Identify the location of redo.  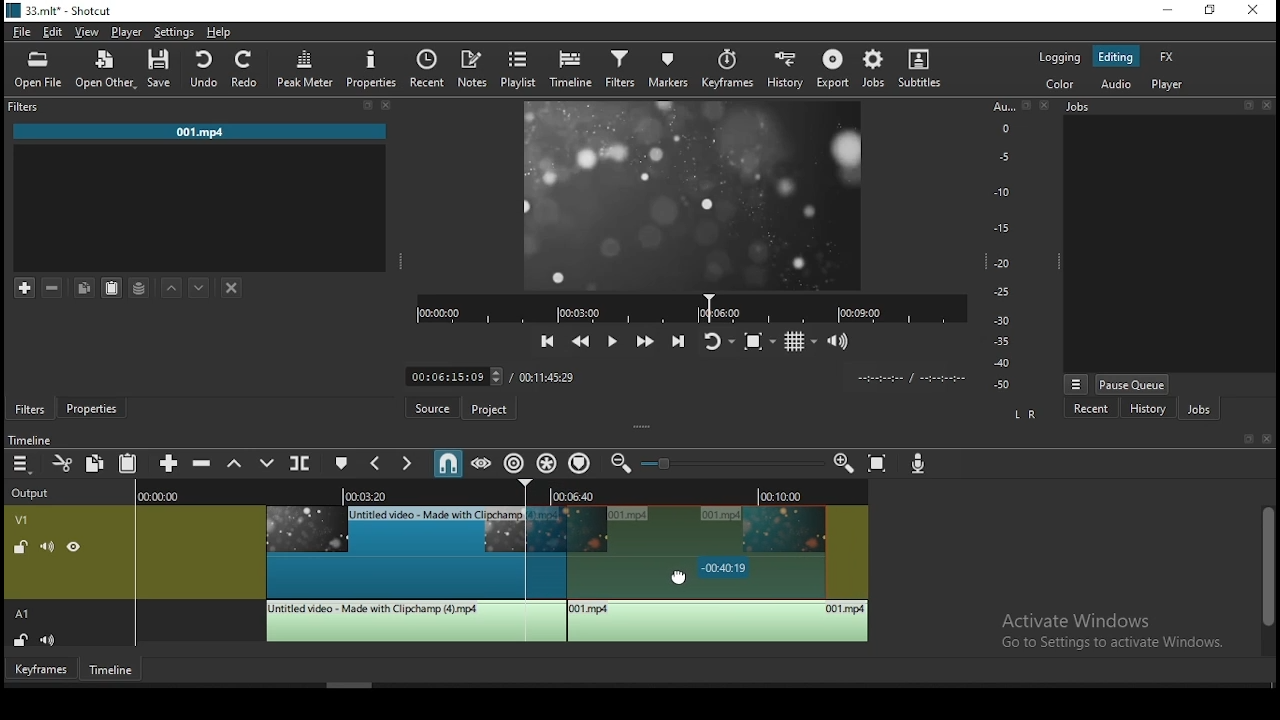
(247, 71).